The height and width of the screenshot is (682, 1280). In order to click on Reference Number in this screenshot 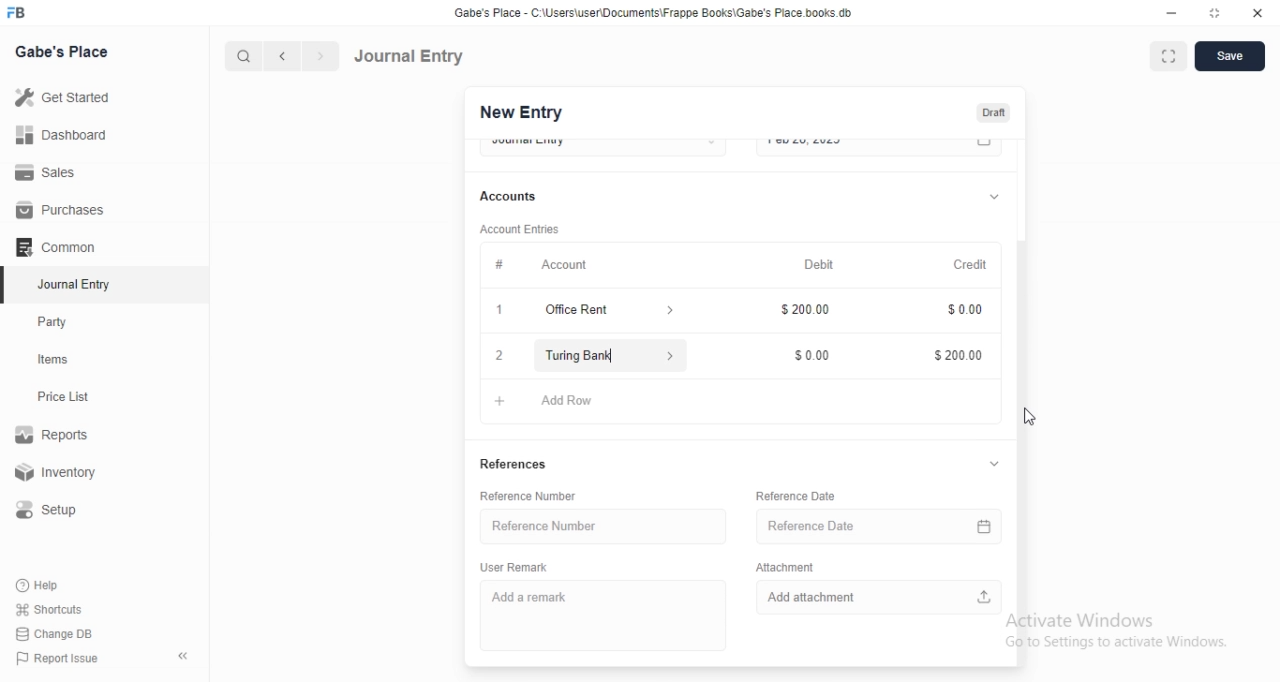, I will do `click(538, 525)`.